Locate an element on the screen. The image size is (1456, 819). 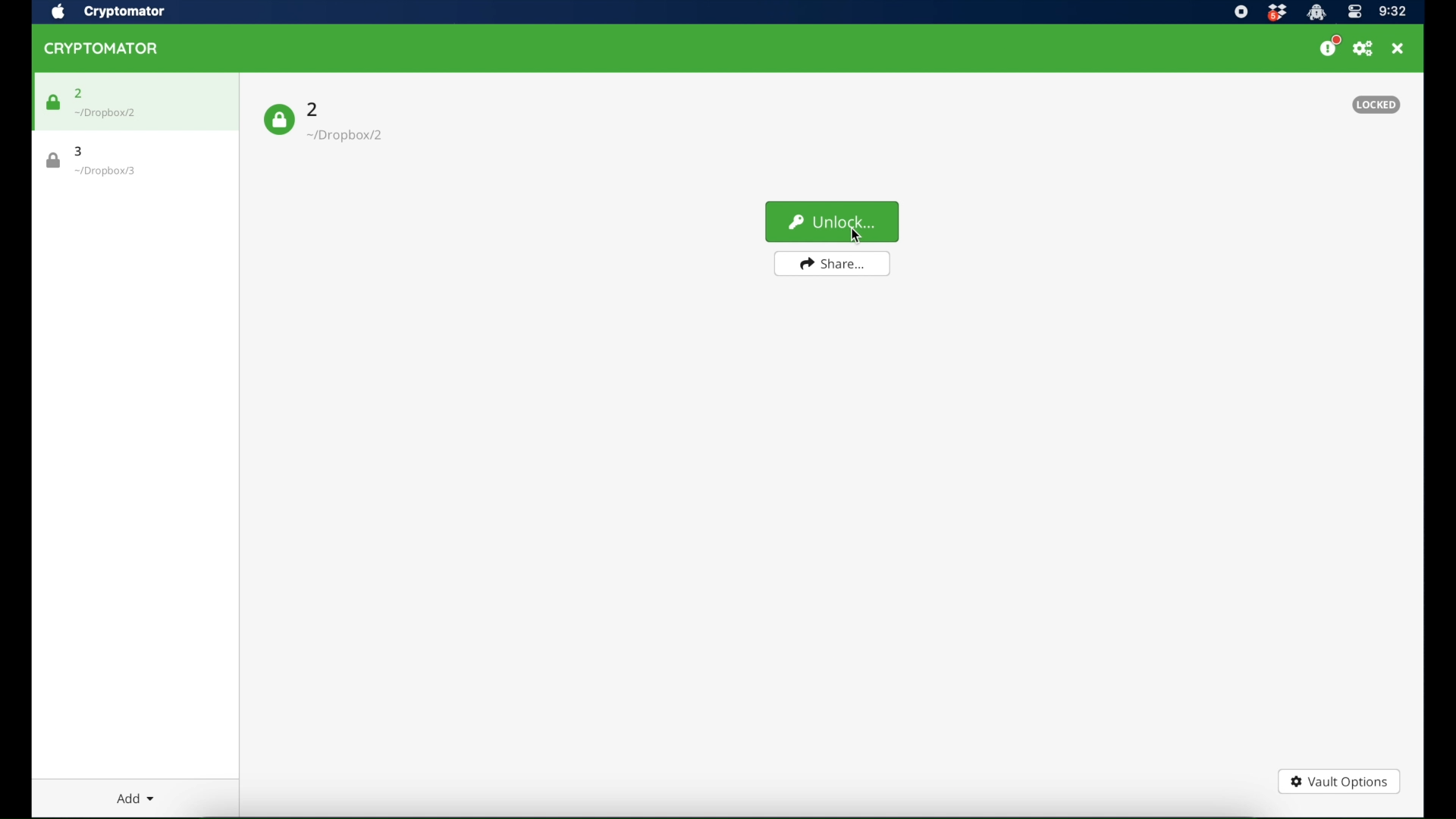
lock icon is located at coordinates (280, 119).